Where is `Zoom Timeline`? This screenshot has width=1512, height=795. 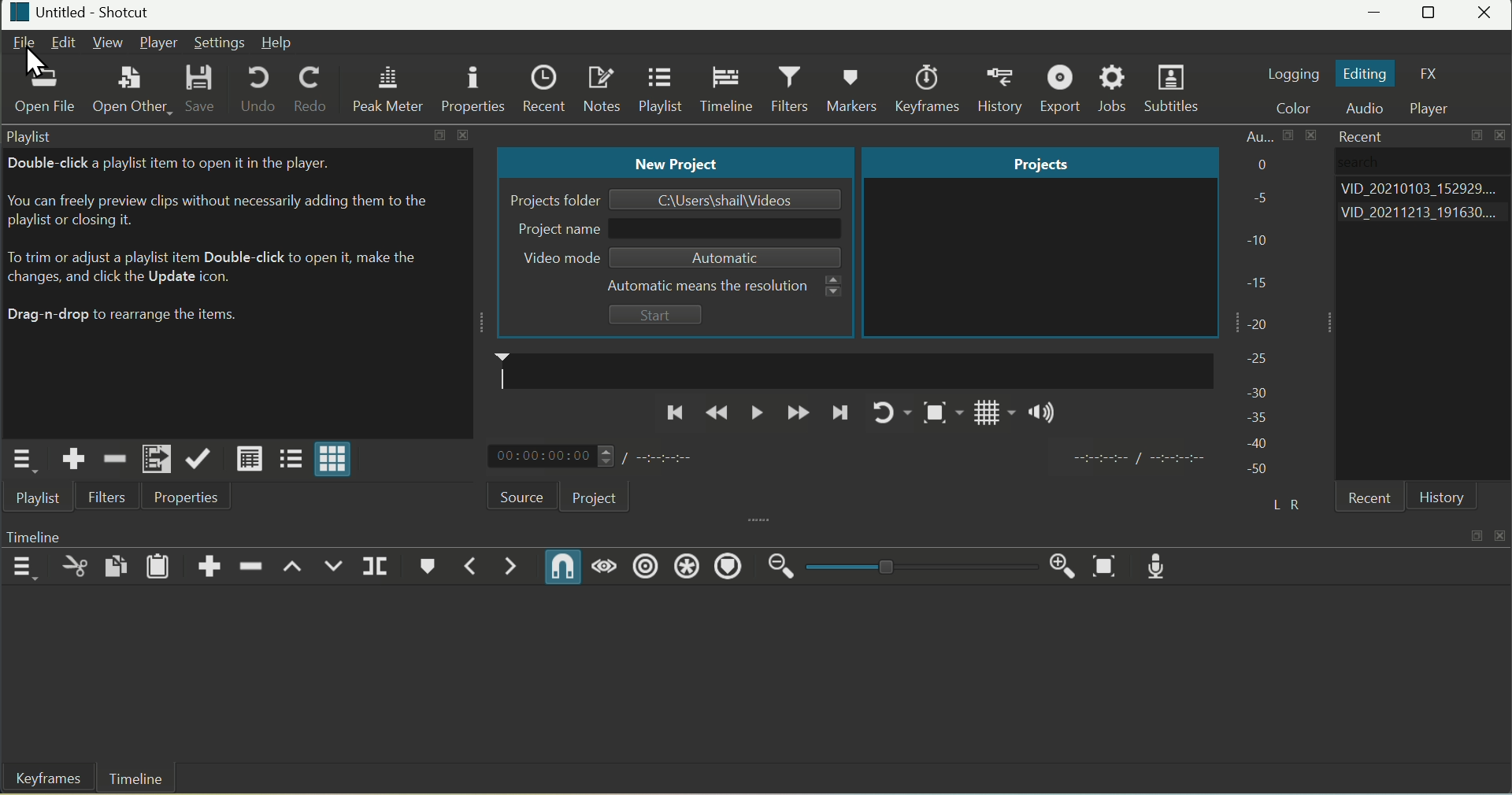
Zoom Timeline is located at coordinates (1106, 567).